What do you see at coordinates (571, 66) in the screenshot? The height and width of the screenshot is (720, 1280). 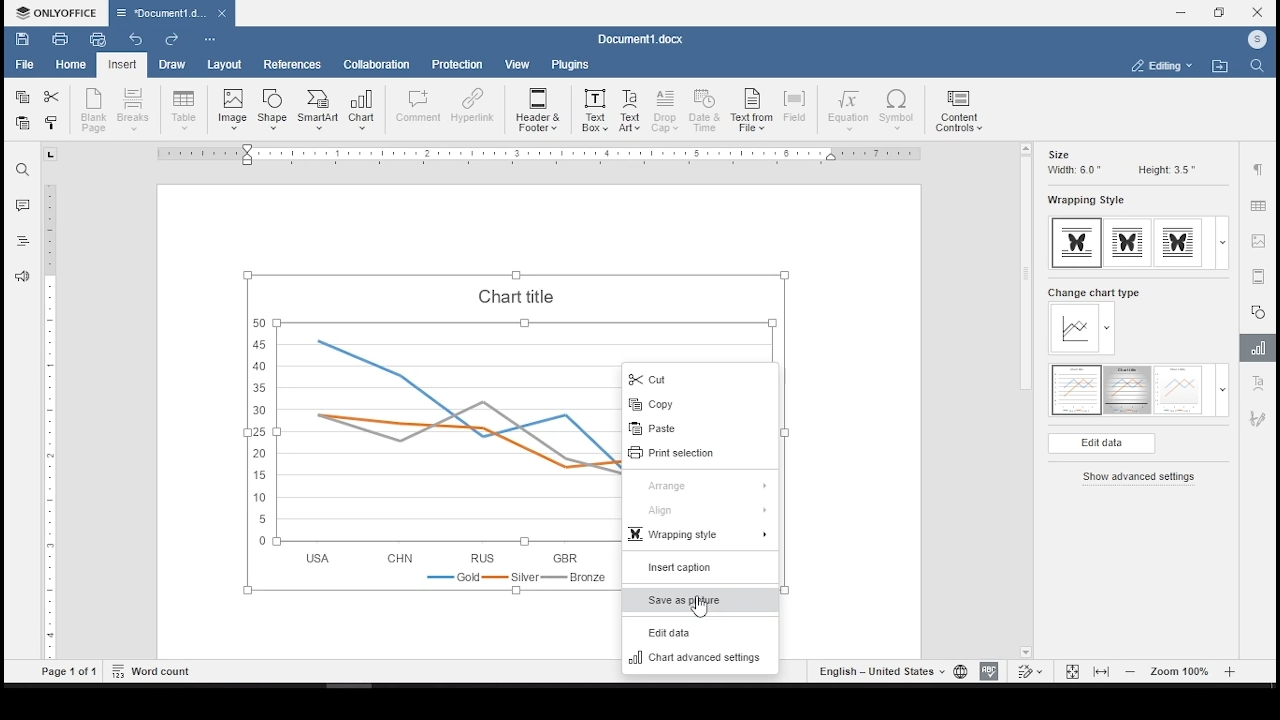 I see `plugins` at bounding box center [571, 66].